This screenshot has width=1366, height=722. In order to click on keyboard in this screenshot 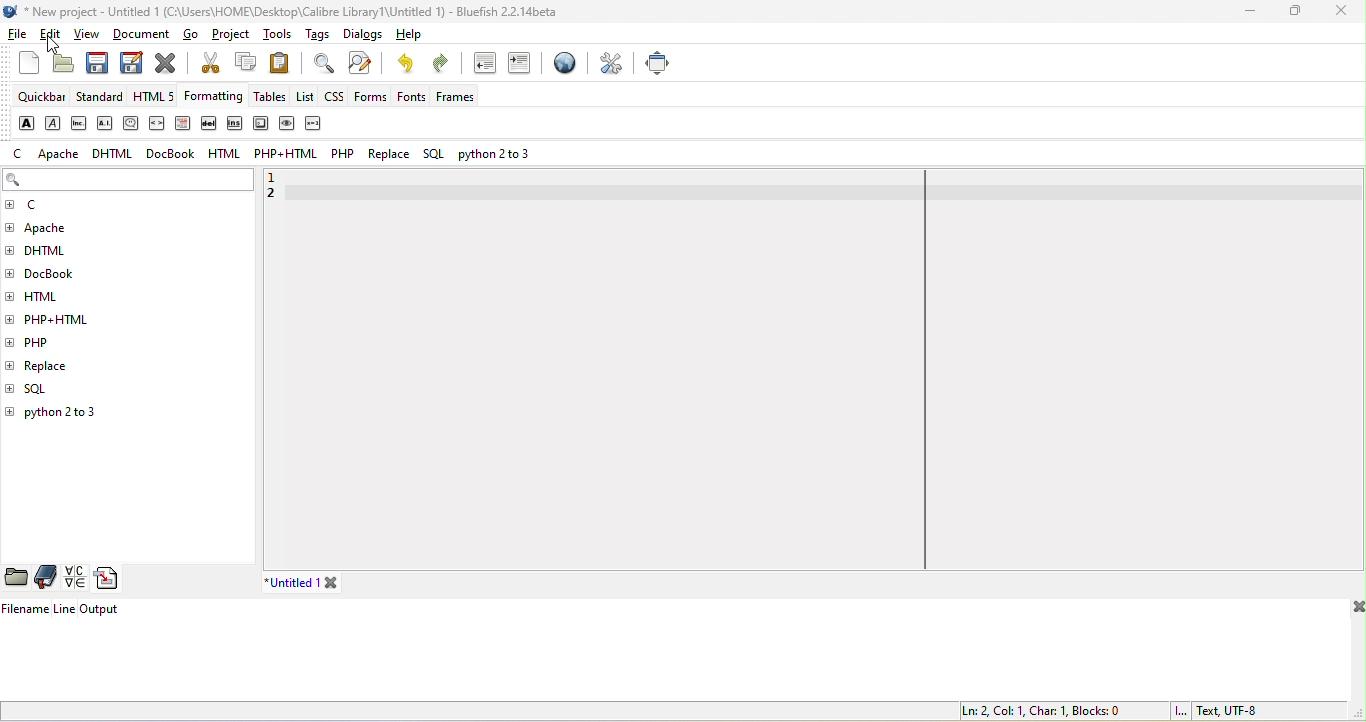, I will do `click(260, 124)`.